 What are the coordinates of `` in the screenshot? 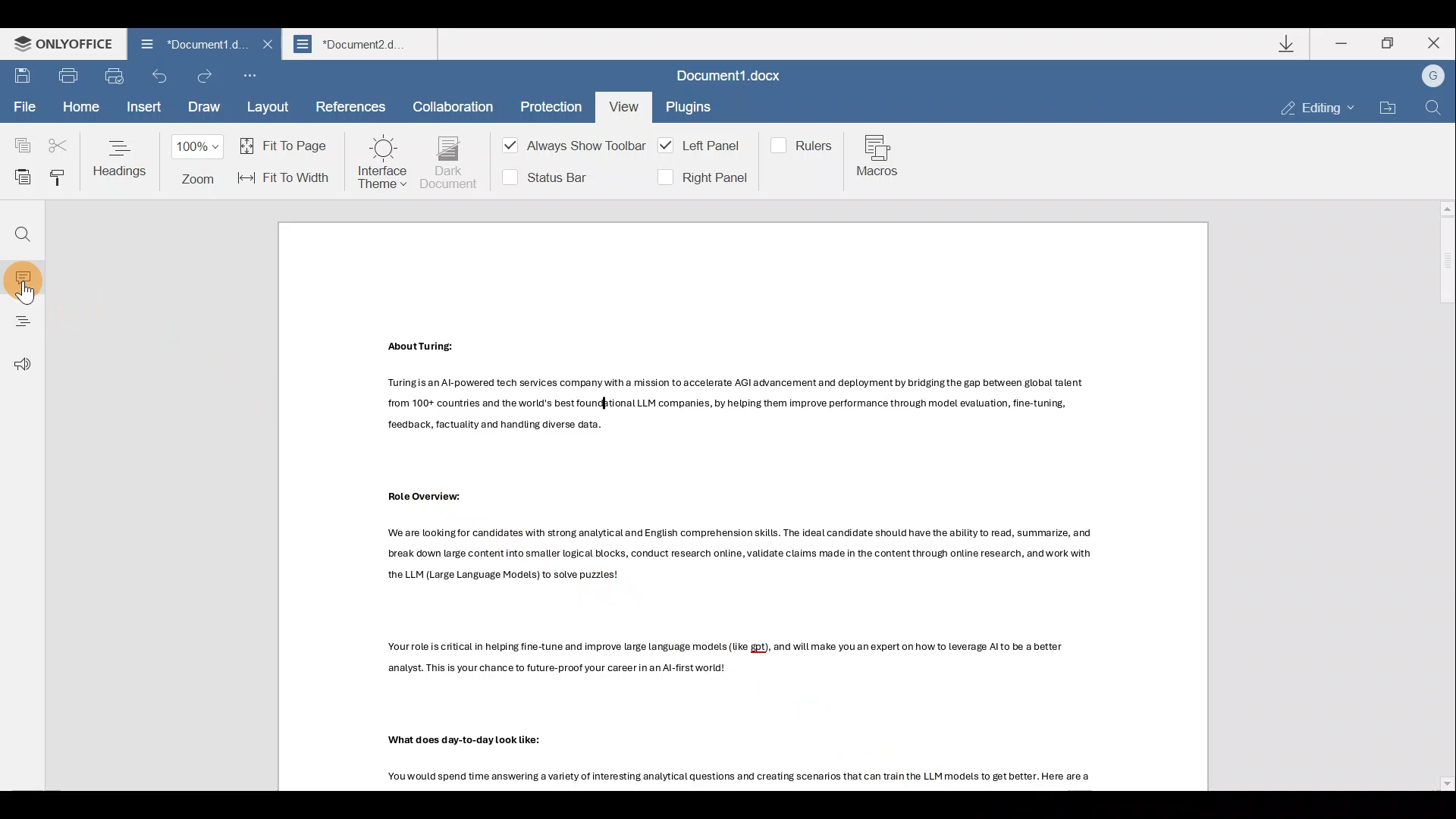 It's located at (428, 497).